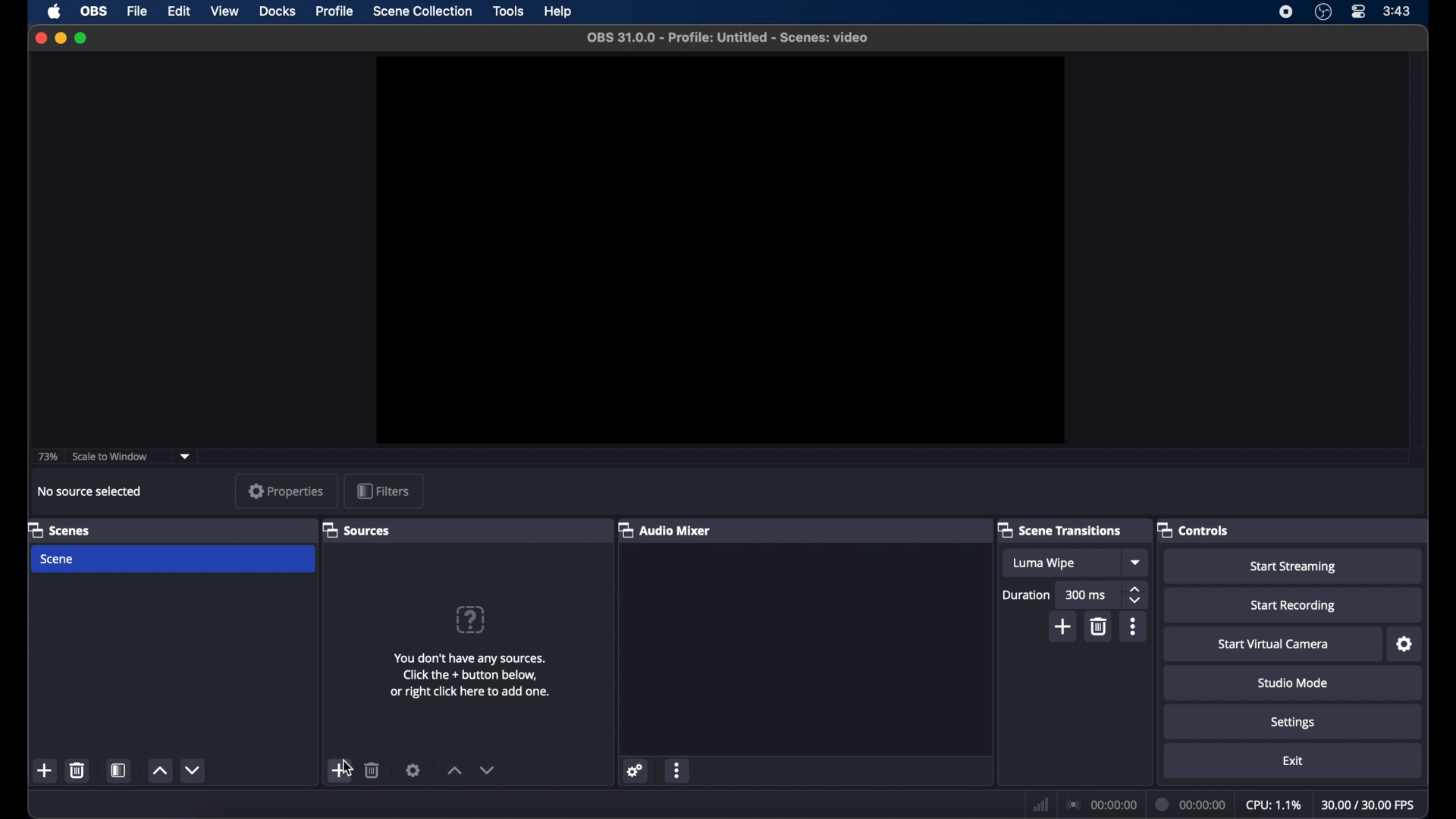 The width and height of the screenshot is (1456, 819). Describe the element at coordinates (1041, 805) in the screenshot. I see `network` at that location.